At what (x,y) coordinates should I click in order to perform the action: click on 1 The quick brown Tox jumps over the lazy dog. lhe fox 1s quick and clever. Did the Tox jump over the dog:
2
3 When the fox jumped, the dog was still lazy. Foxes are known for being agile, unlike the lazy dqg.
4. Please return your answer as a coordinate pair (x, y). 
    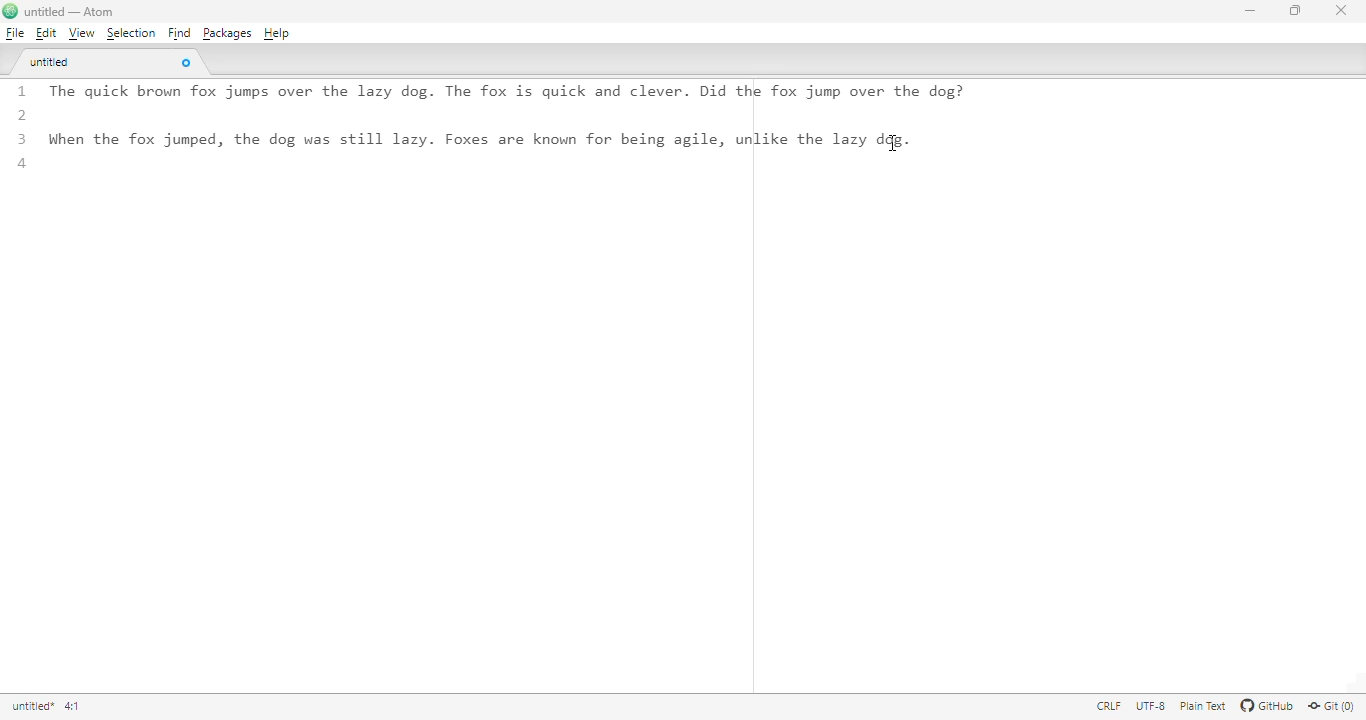
    Looking at the image, I should click on (508, 140).